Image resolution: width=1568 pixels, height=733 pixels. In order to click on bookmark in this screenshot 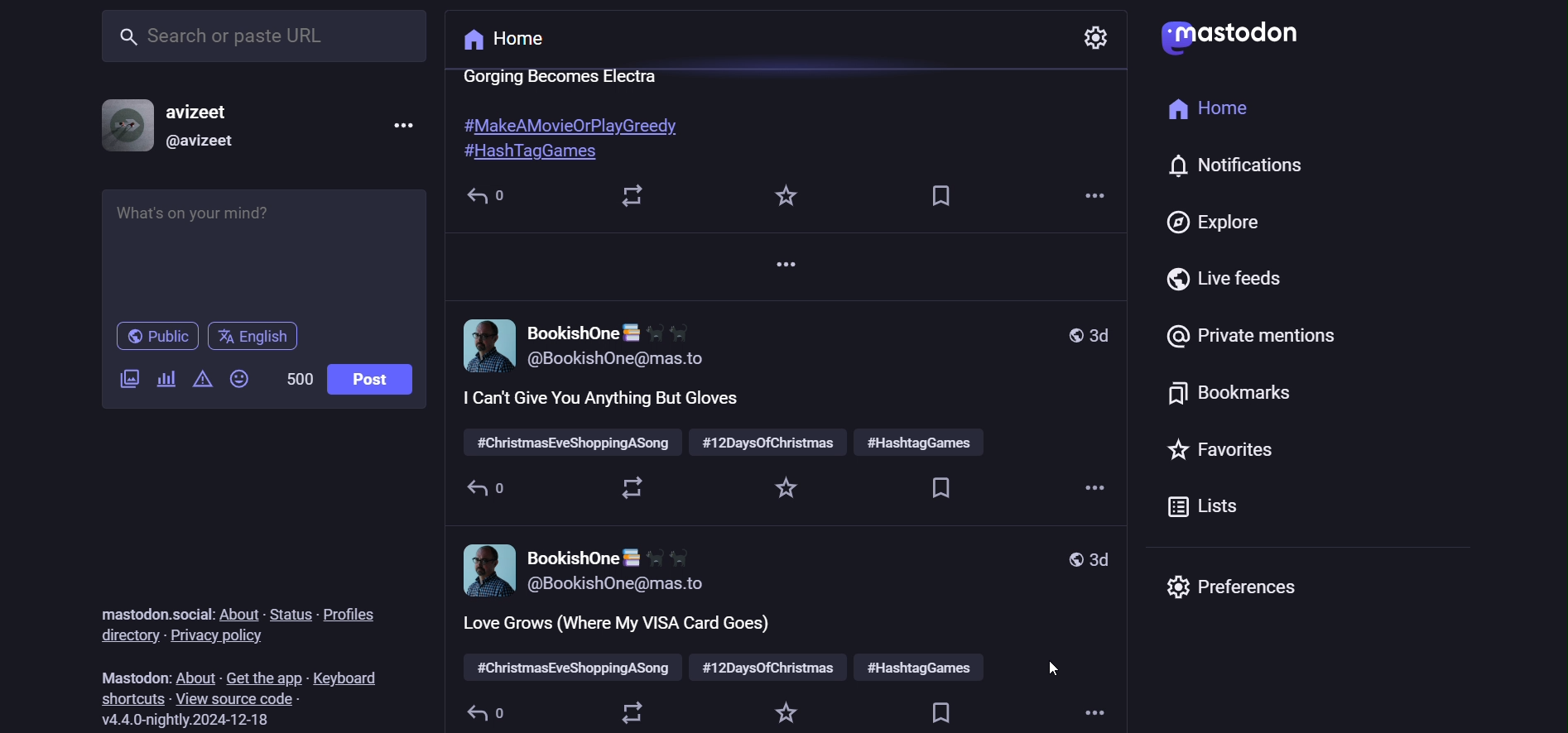, I will do `click(935, 711)`.